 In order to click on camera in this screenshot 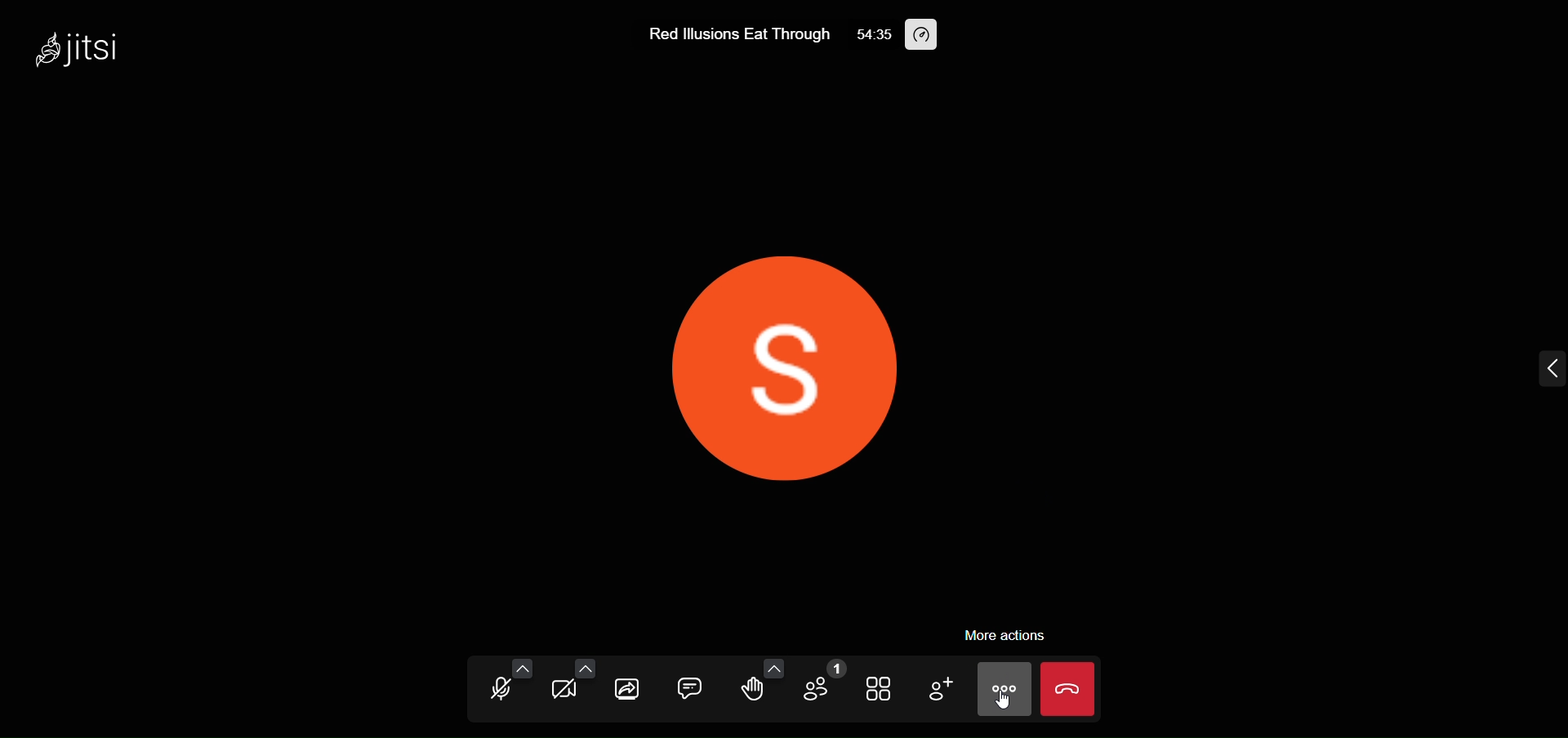, I will do `click(563, 694)`.